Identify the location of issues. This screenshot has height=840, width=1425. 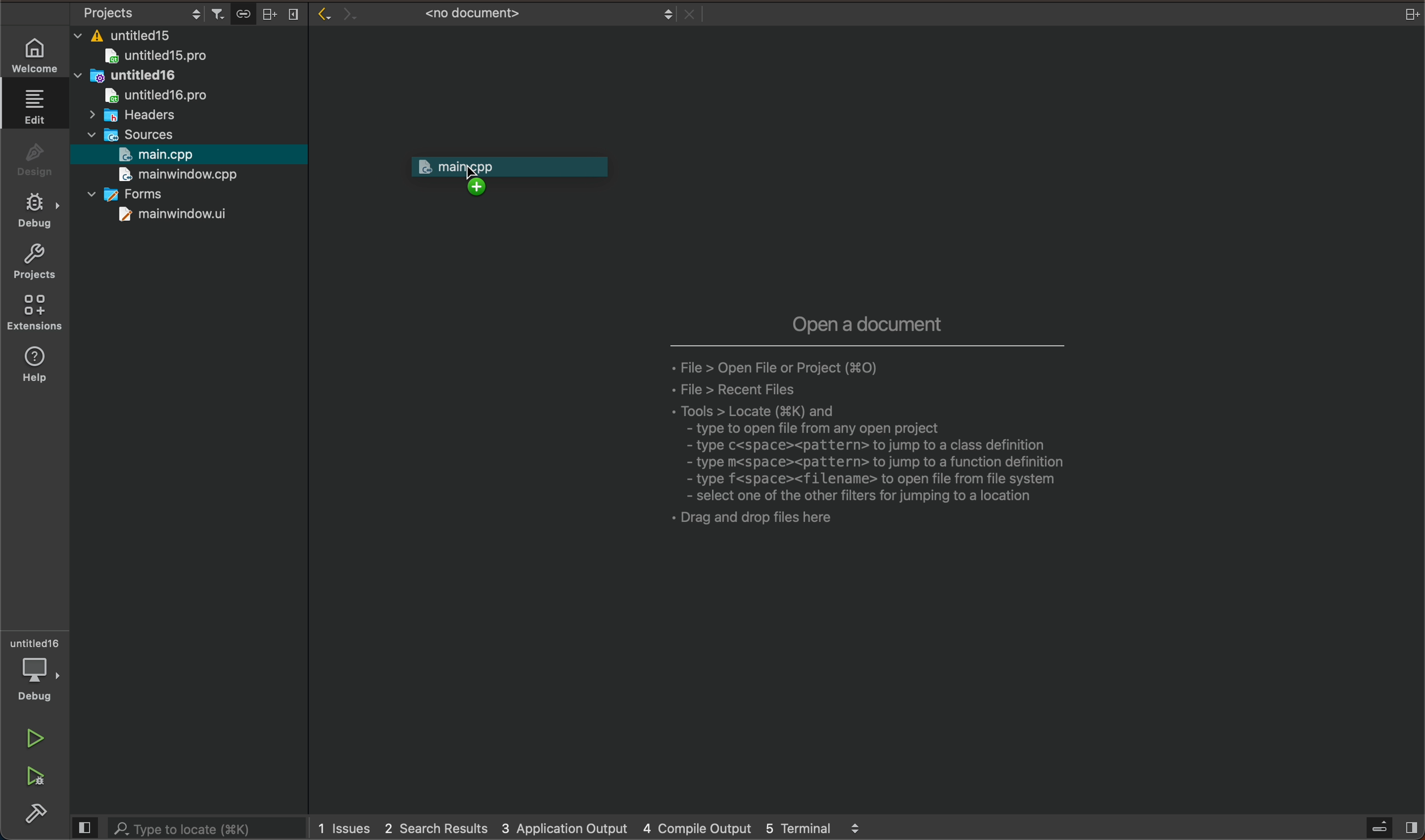
(348, 830).